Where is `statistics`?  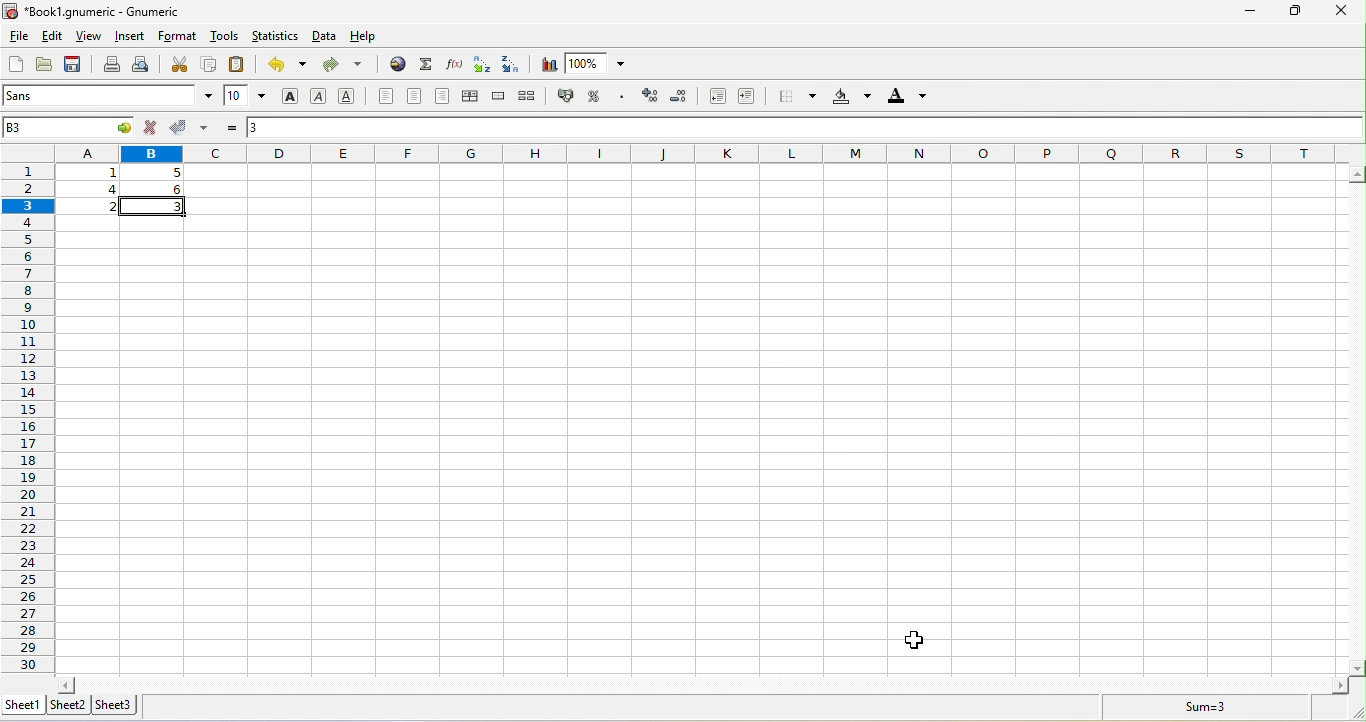 statistics is located at coordinates (275, 39).